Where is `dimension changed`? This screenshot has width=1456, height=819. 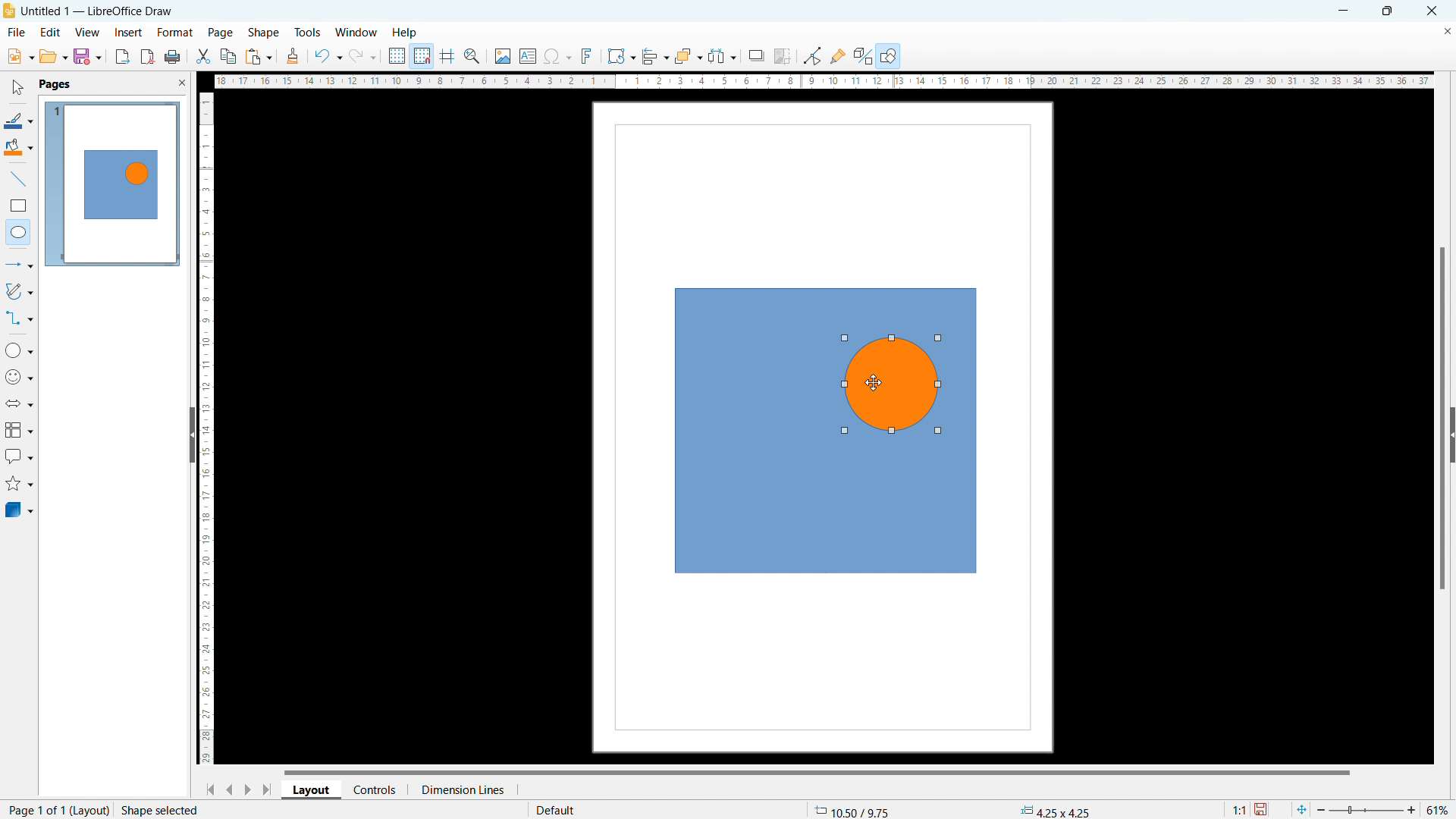
dimension changed is located at coordinates (1054, 810).